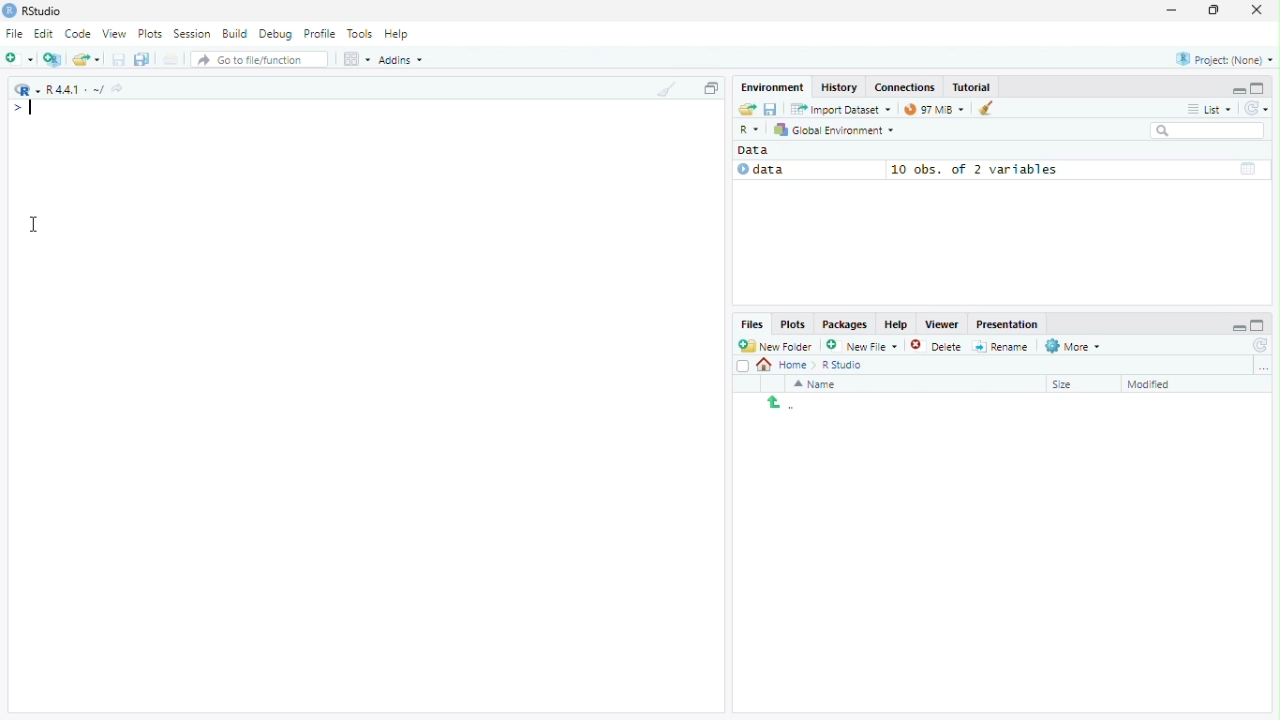 This screenshot has height=720, width=1280. What do you see at coordinates (28, 108) in the screenshot?
I see `typing cursor` at bounding box center [28, 108].